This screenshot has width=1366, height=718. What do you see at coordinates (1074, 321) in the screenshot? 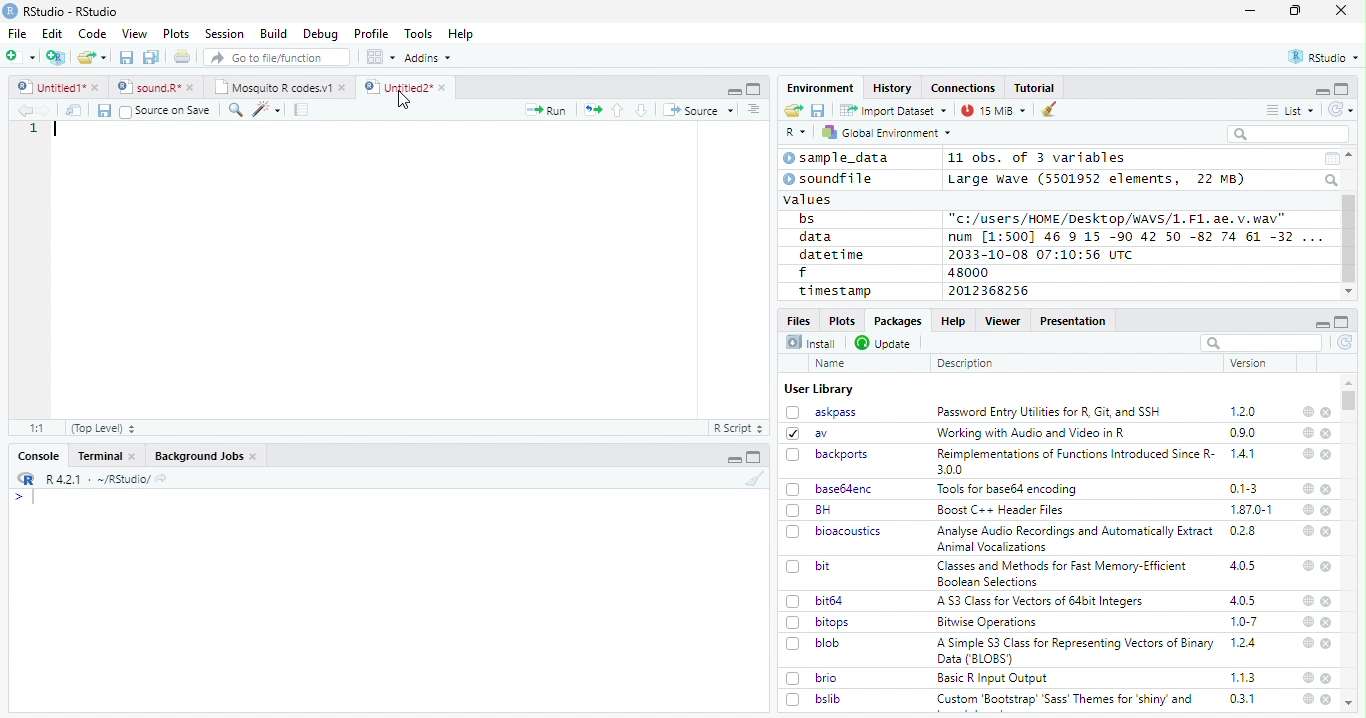
I see `Presentation` at bounding box center [1074, 321].